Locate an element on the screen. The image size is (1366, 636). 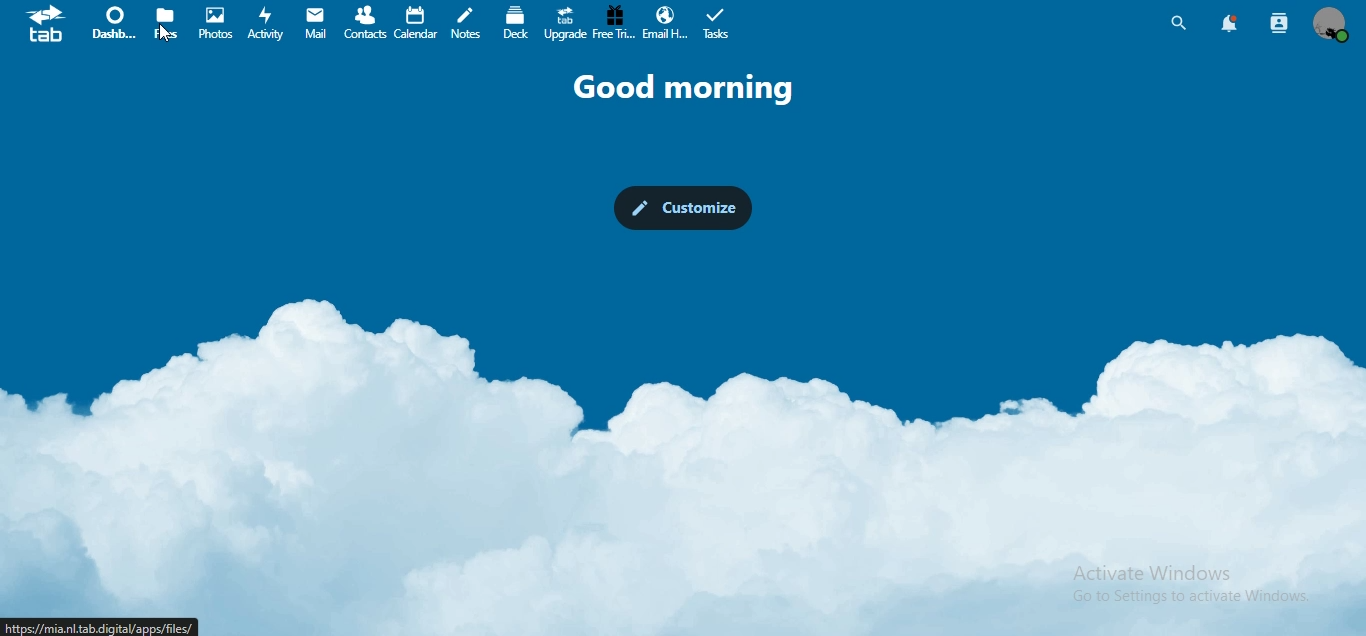
files is located at coordinates (168, 22).